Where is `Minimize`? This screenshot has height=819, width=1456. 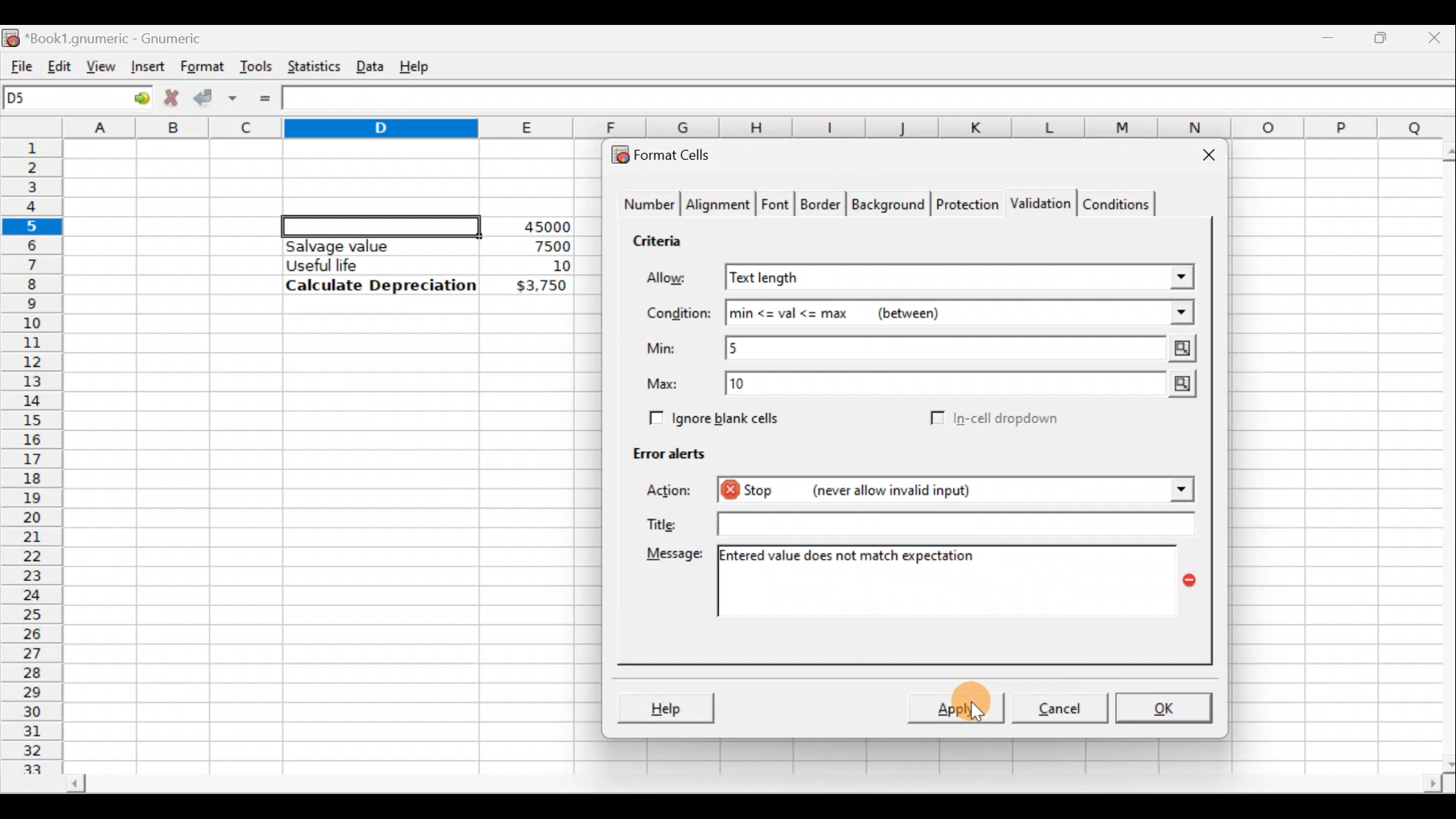
Minimize is located at coordinates (1332, 34).